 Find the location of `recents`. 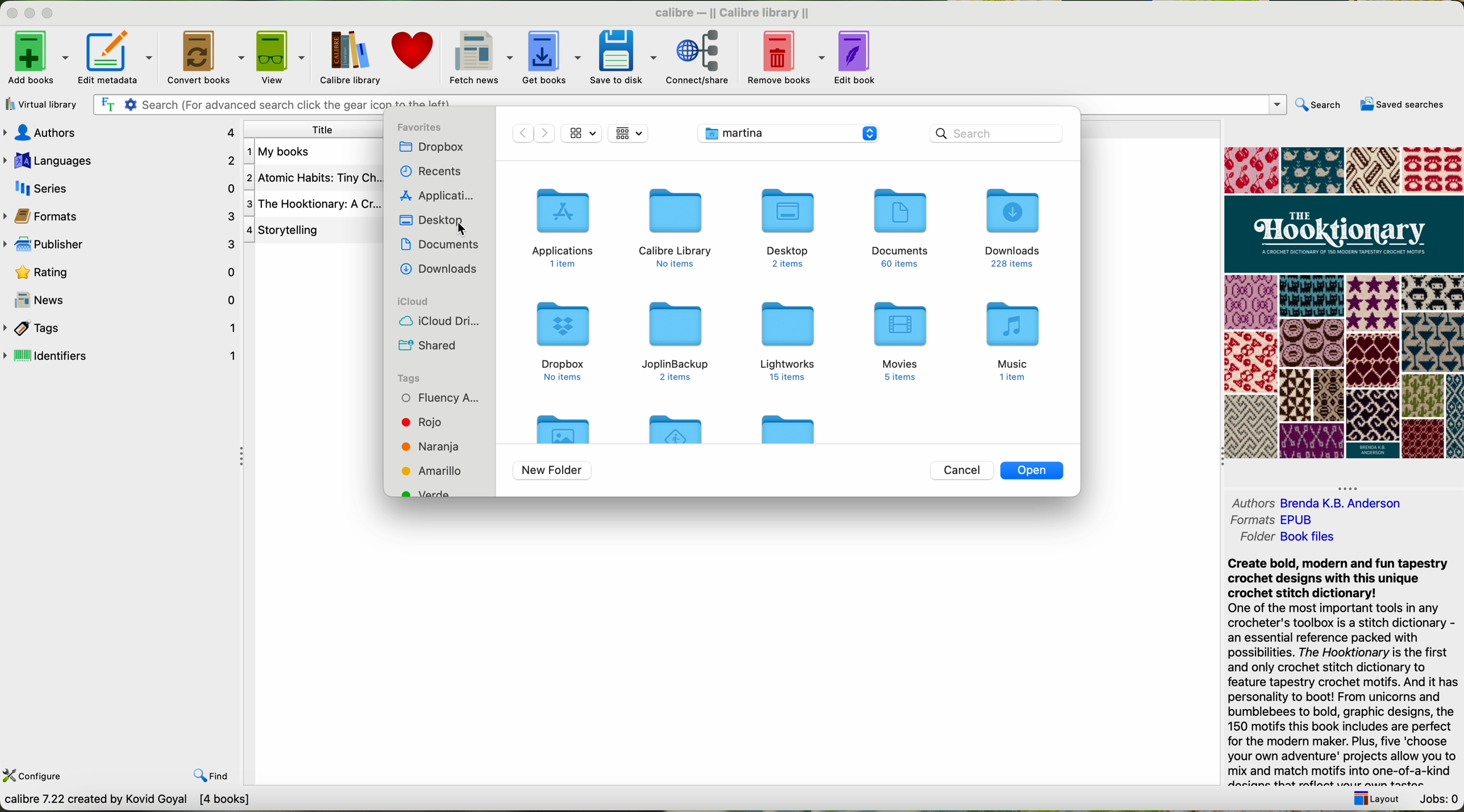

recents is located at coordinates (432, 172).